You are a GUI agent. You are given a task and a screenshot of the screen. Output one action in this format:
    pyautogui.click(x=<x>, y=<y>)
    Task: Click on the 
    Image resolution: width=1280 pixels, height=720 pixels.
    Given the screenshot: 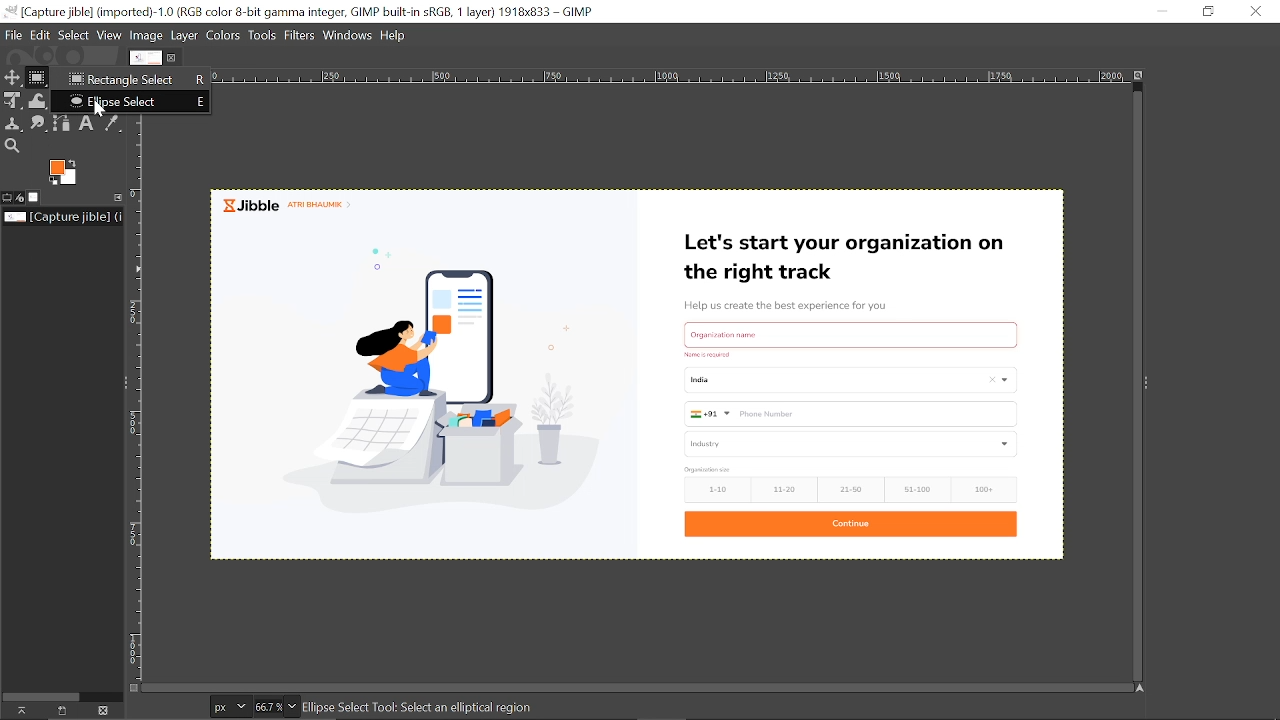 What is the action you would take?
    pyautogui.click(x=112, y=35)
    